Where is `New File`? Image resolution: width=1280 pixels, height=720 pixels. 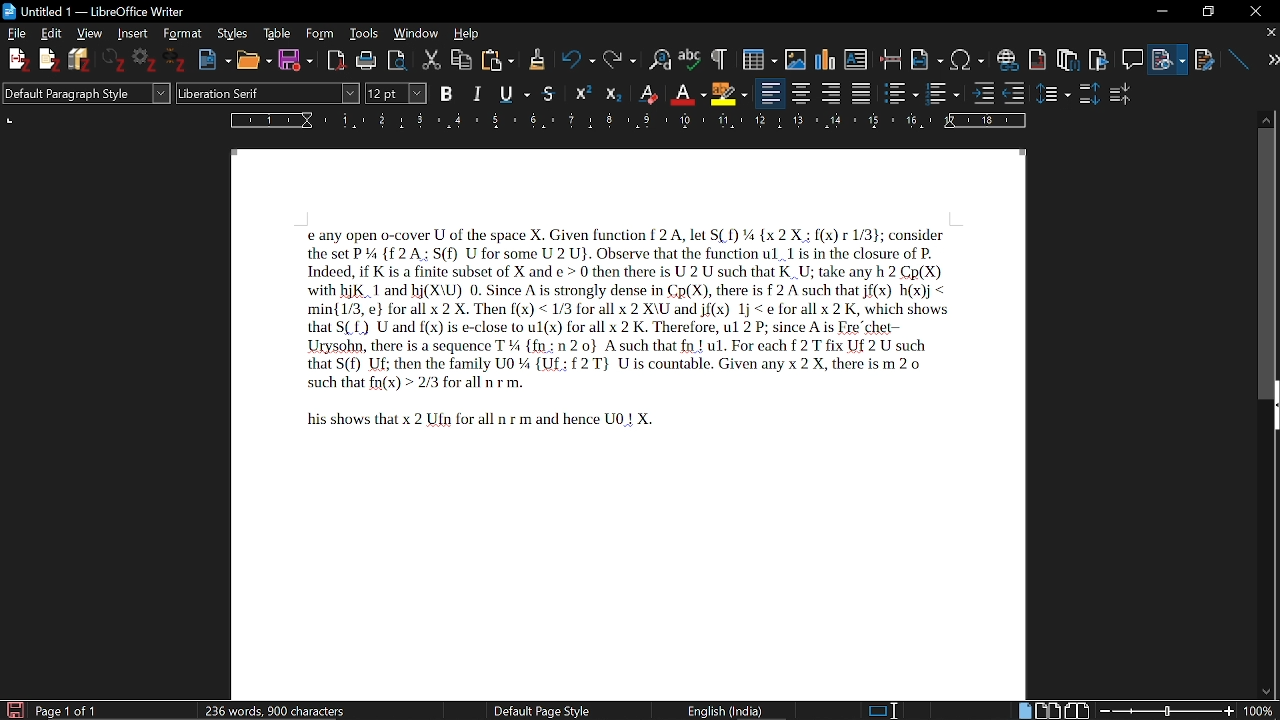 New File is located at coordinates (17, 60).